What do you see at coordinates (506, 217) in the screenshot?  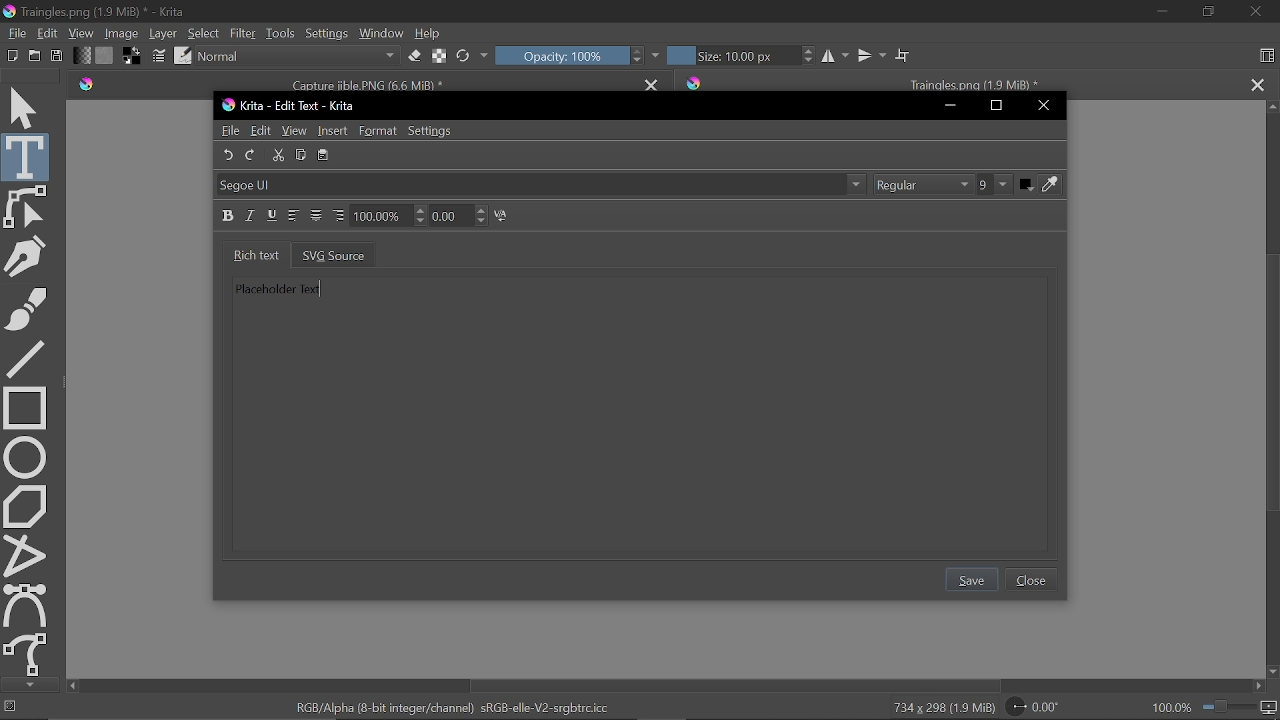 I see `Kering` at bounding box center [506, 217].